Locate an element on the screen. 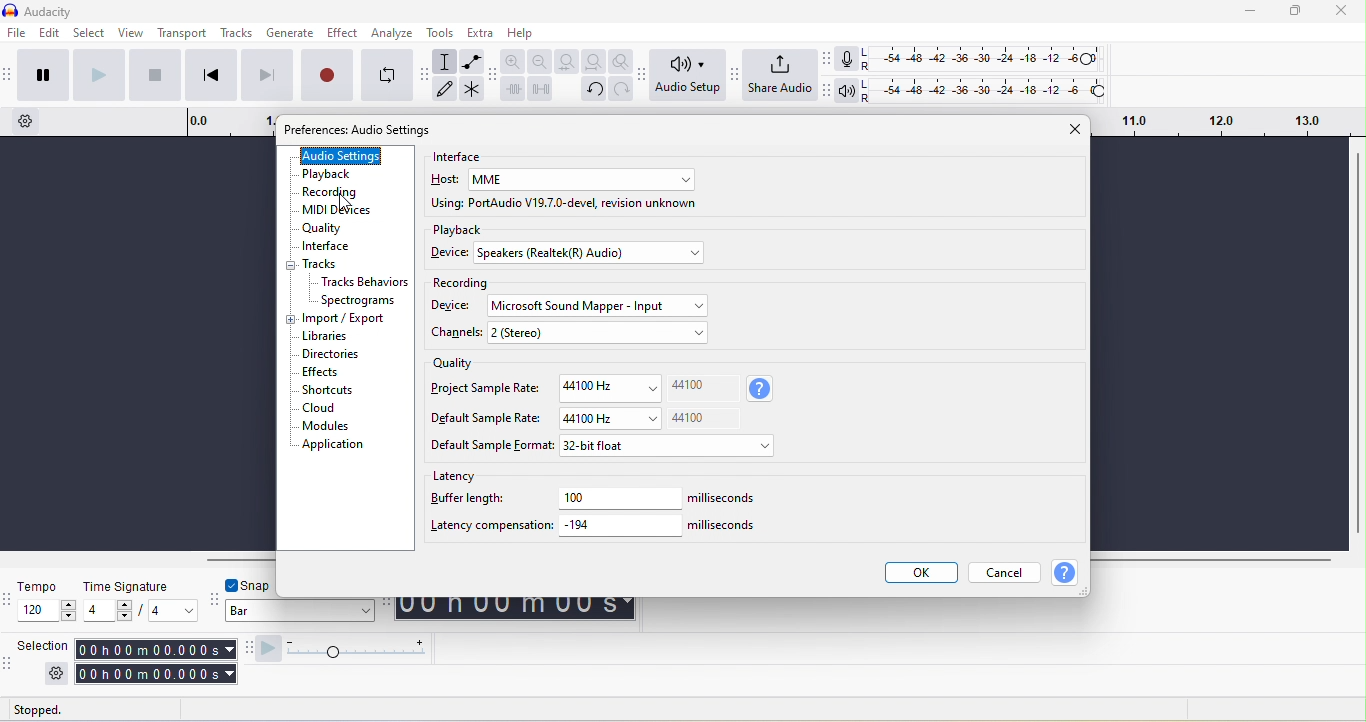  zoom in is located at coordinates (513, 63).